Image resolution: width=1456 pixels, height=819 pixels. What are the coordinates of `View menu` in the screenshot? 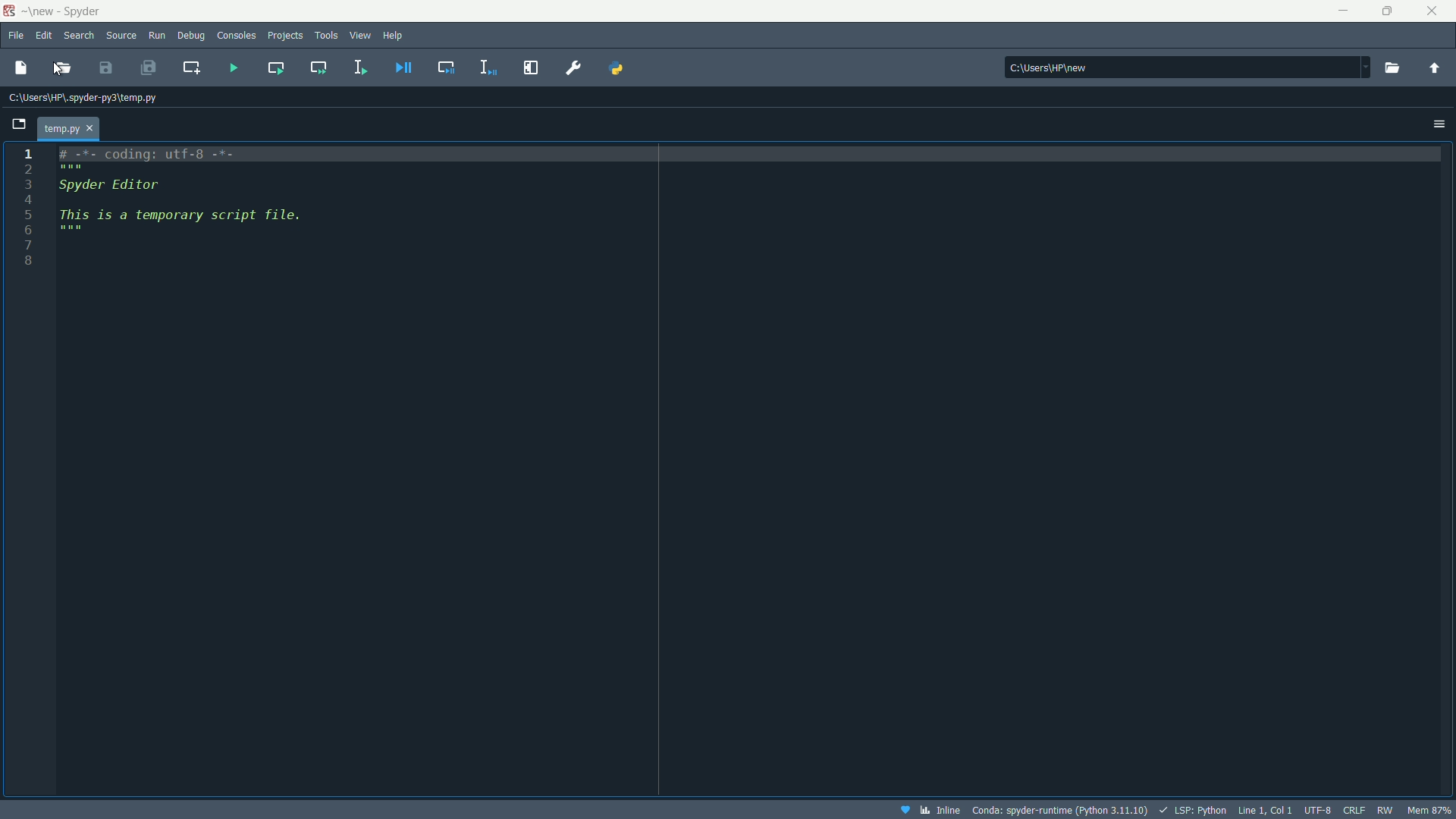 It's located at (361, 36).